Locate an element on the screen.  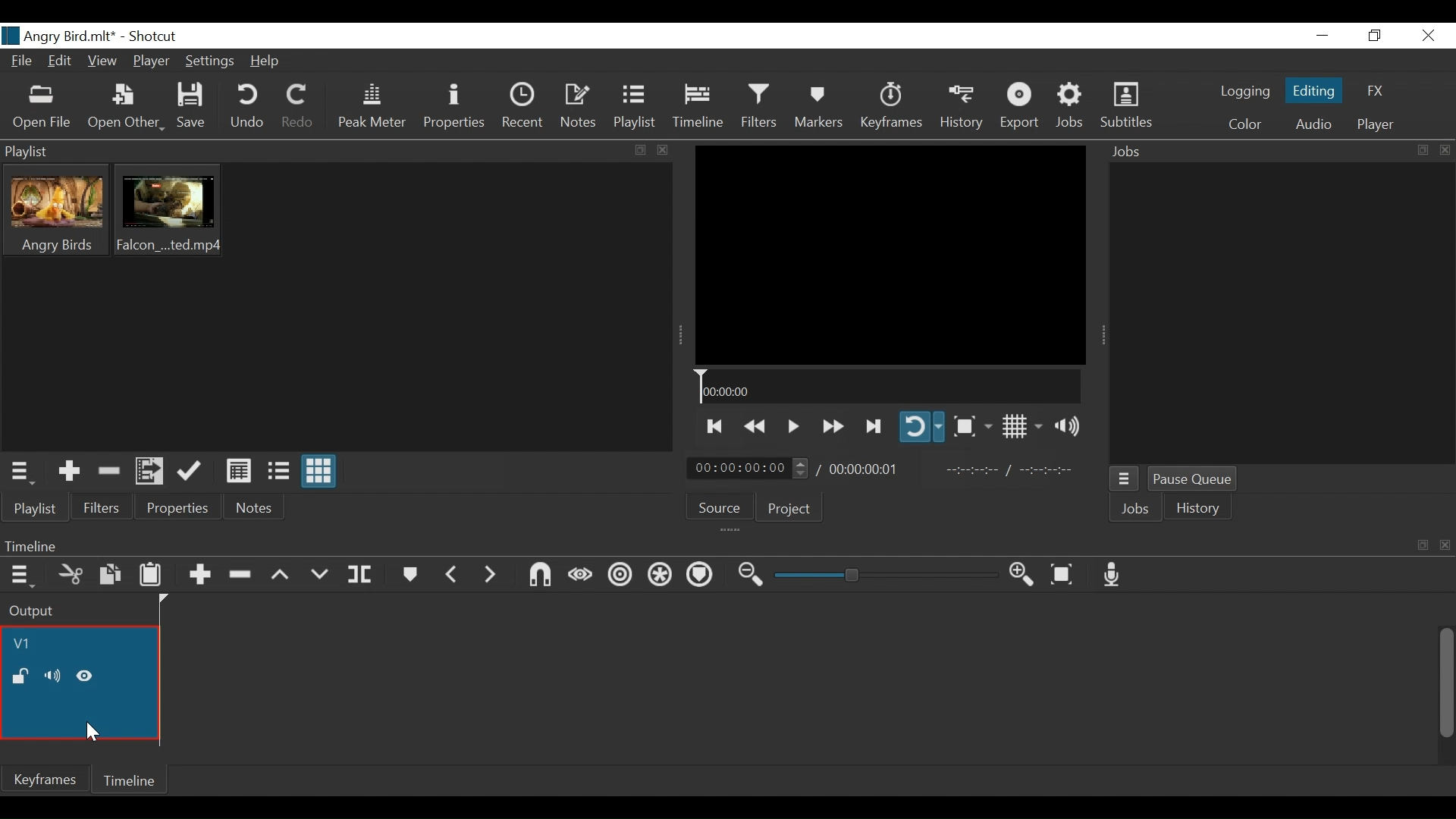
Vertical Scroll bar is located at coordinates (1445, 684).